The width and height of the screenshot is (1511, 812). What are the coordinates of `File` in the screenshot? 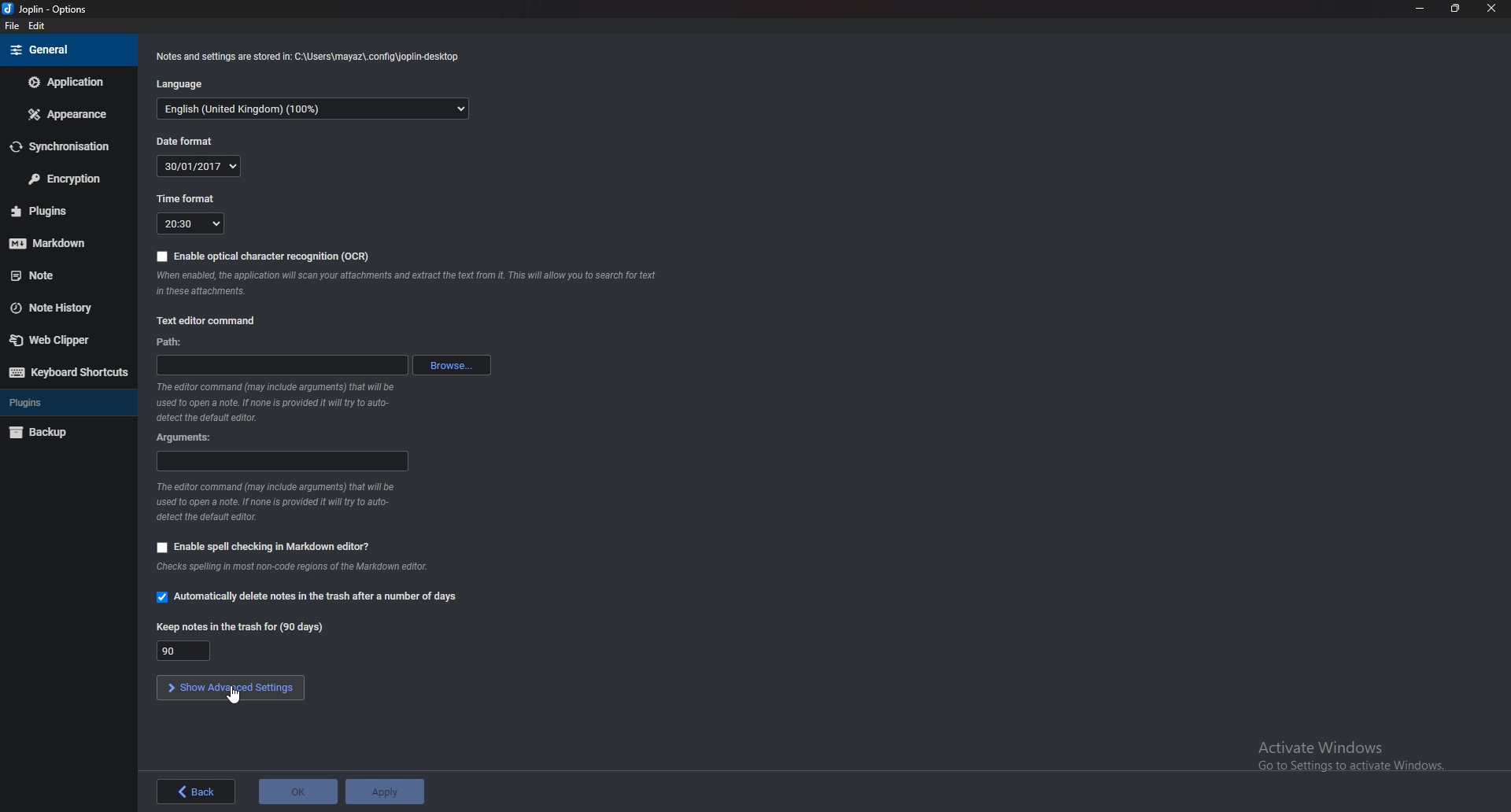 It's located at (13, 26).